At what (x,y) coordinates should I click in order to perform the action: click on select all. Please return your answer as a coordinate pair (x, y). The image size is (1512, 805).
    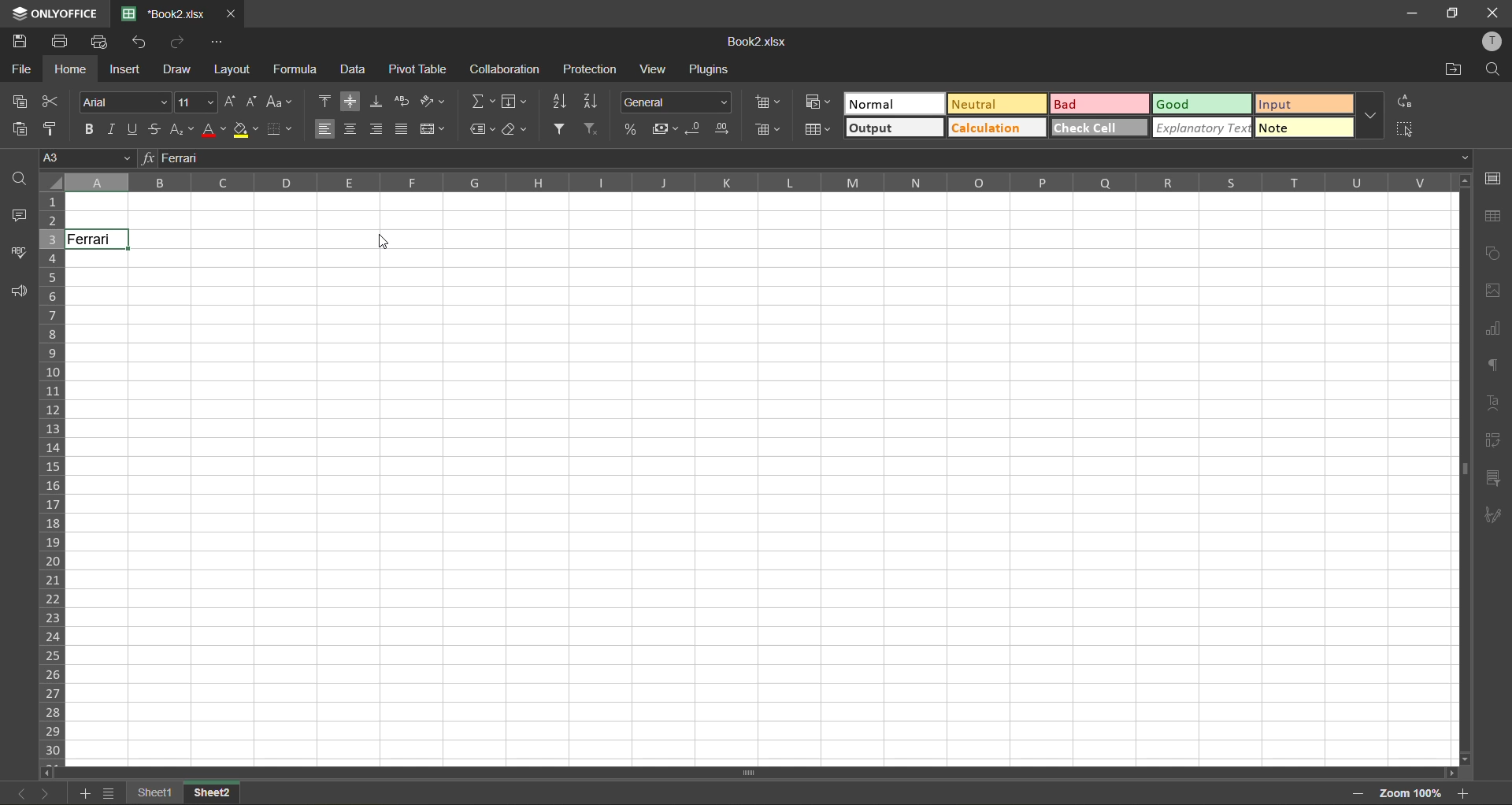
    Looking at the image, I should click on (1403, 130).